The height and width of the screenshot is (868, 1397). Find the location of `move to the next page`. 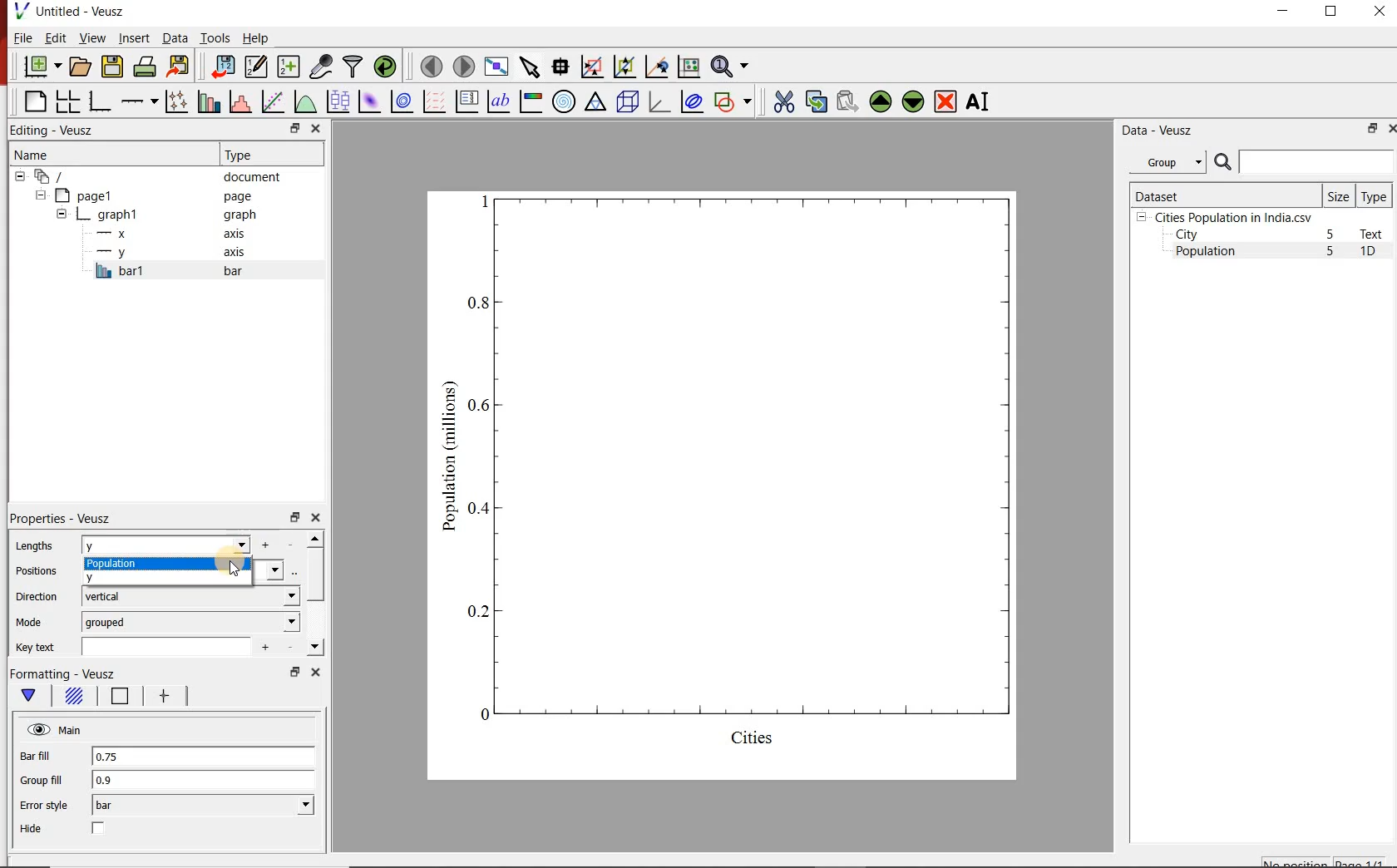

move to the next page is located at coordinates (462, 66).